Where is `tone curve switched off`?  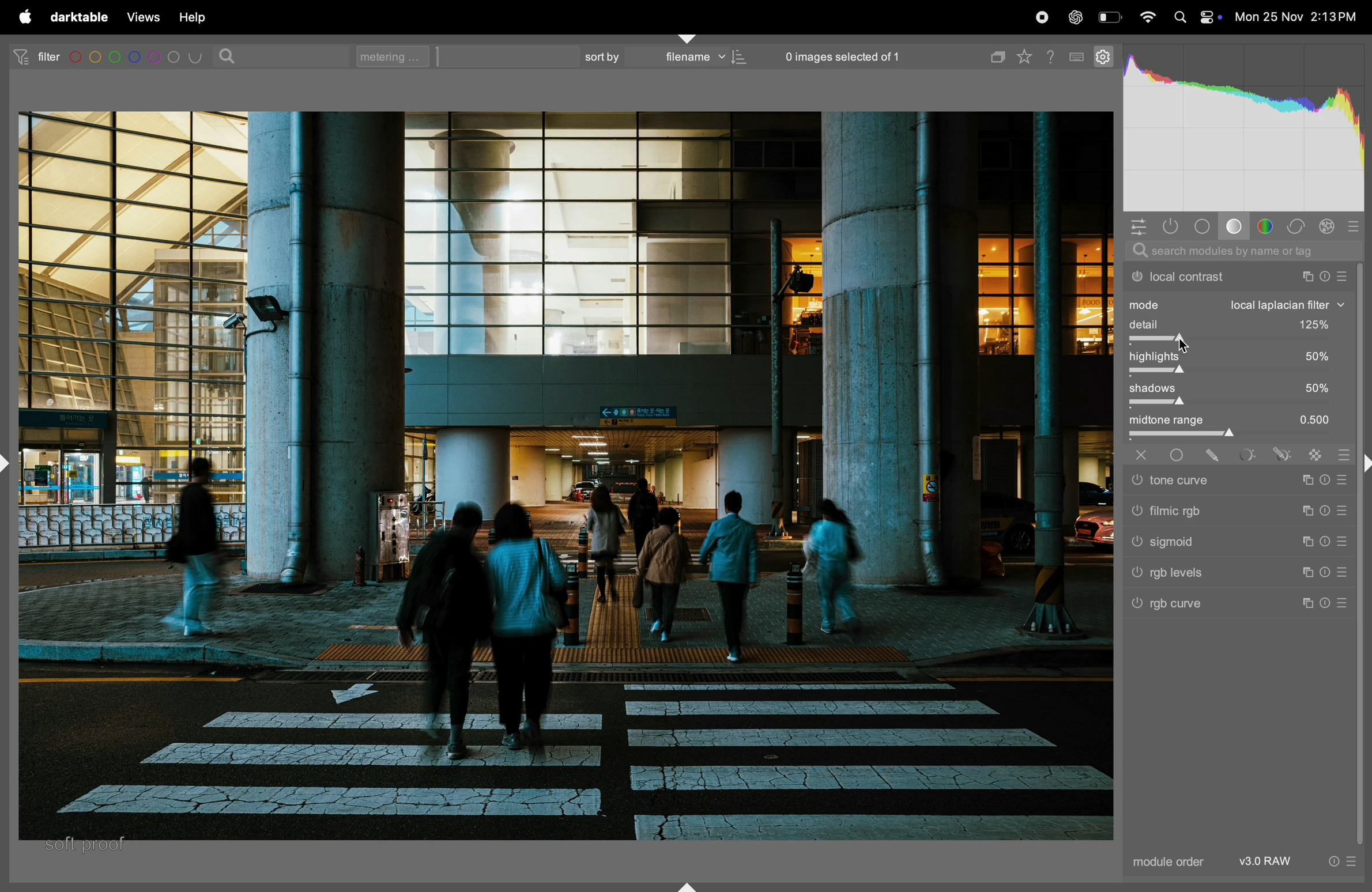
tone curve switched off is located at coordinates (1136, 481).